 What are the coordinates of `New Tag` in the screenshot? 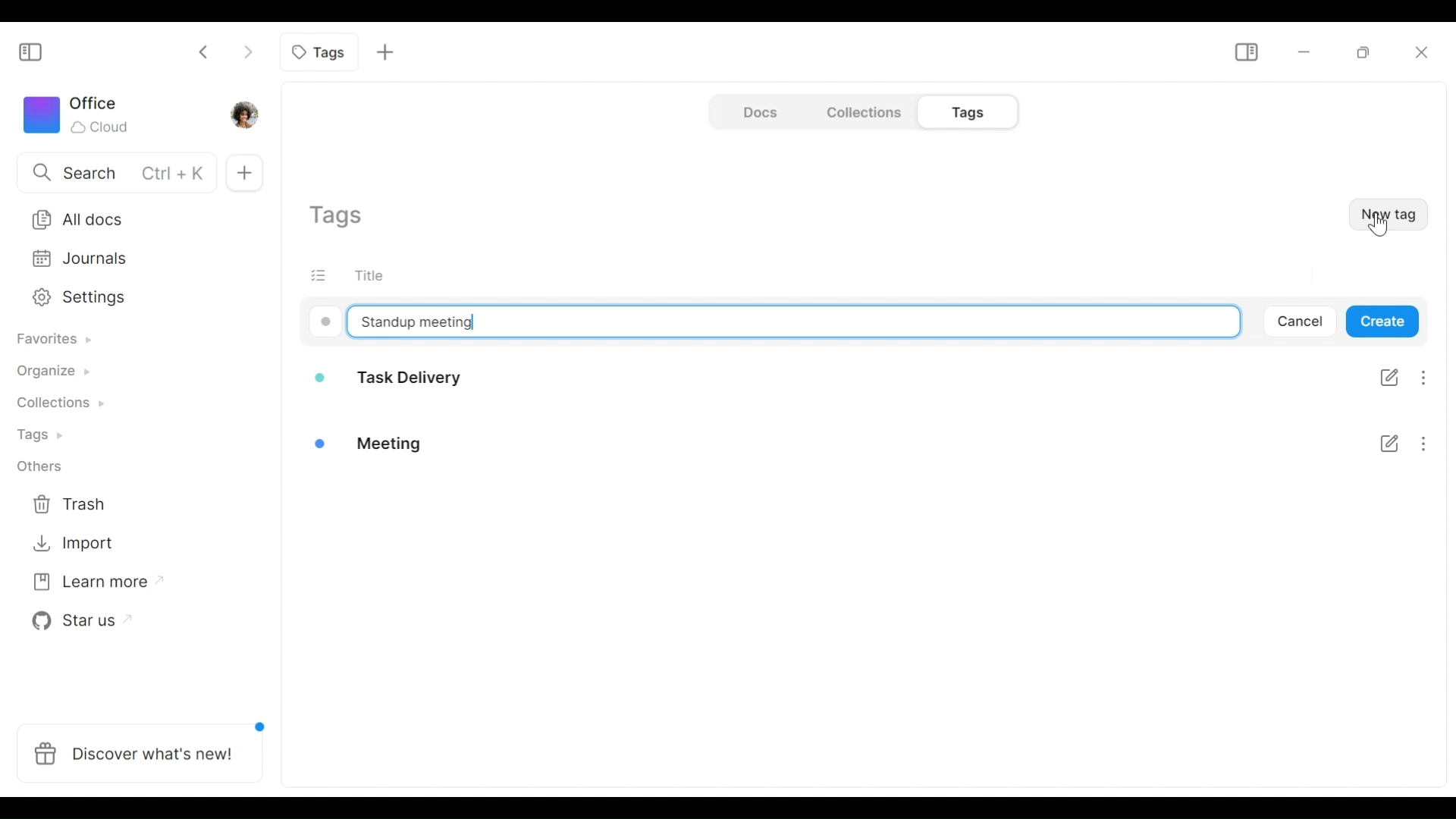 It's located at (1386, 213).